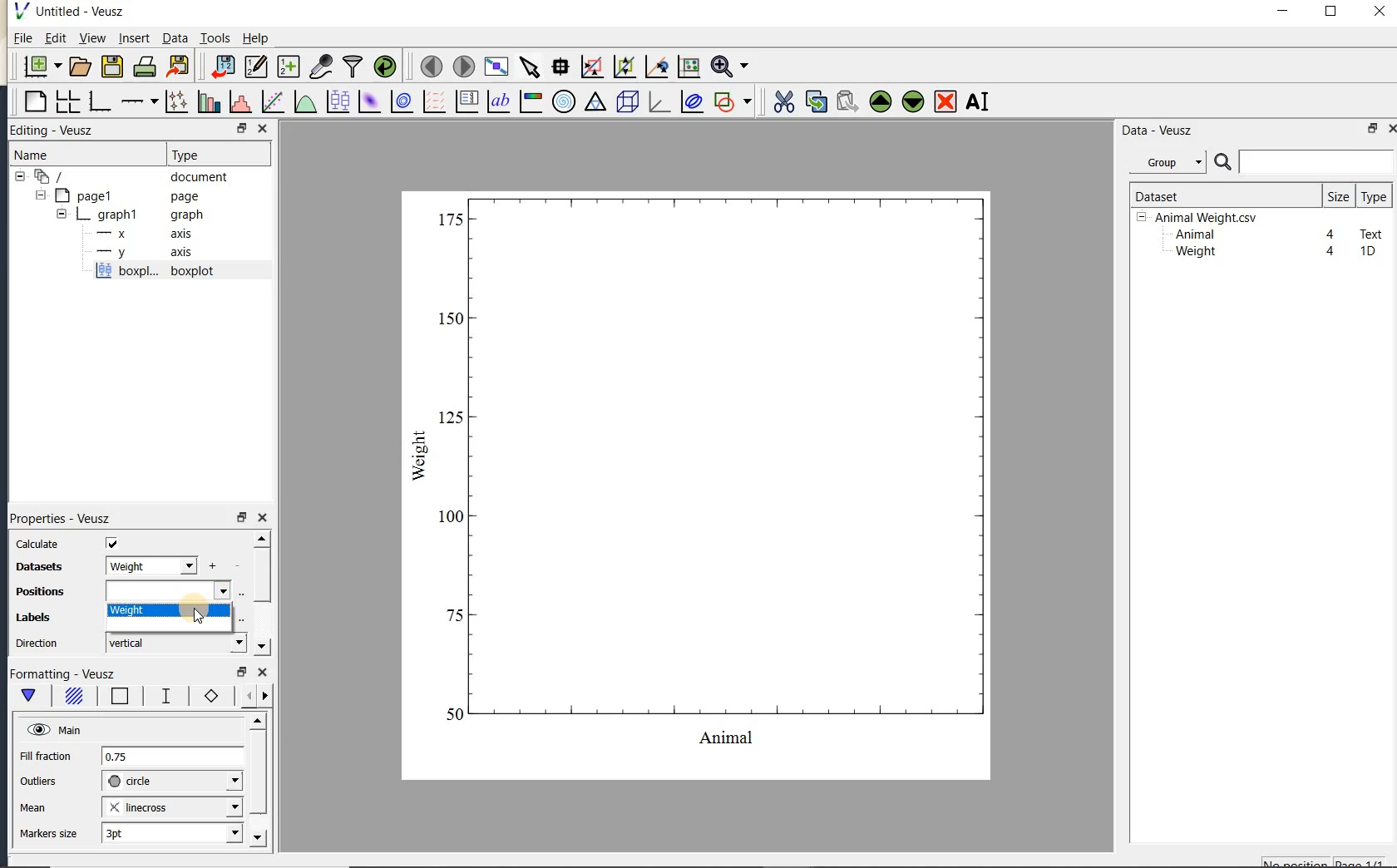  Describe the element at coordinates (462, 65) in the screenshot. I see `move to the next page` at that location.